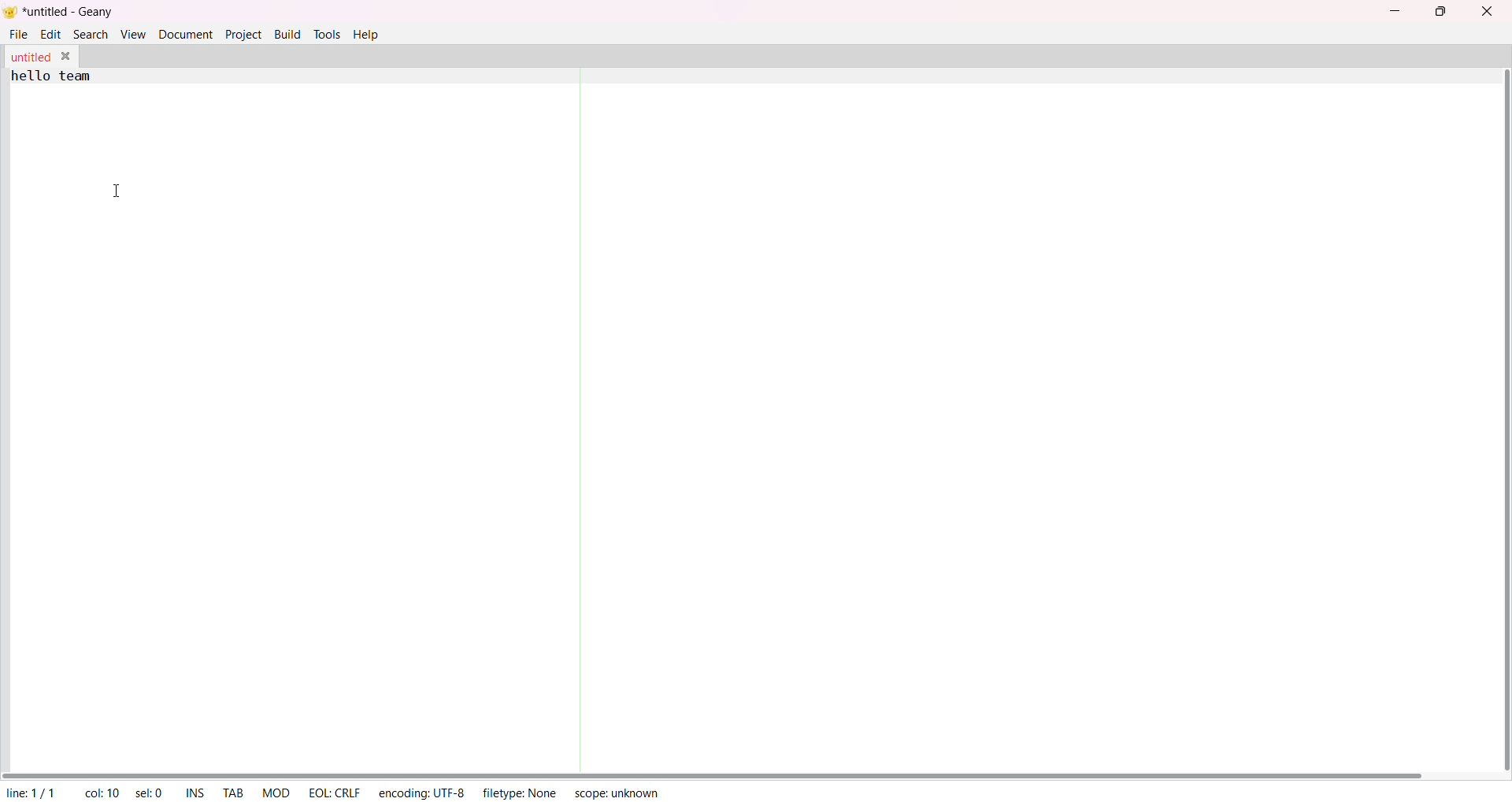 The image size is (1512, 802). I want to click on help, so click(367, 34).